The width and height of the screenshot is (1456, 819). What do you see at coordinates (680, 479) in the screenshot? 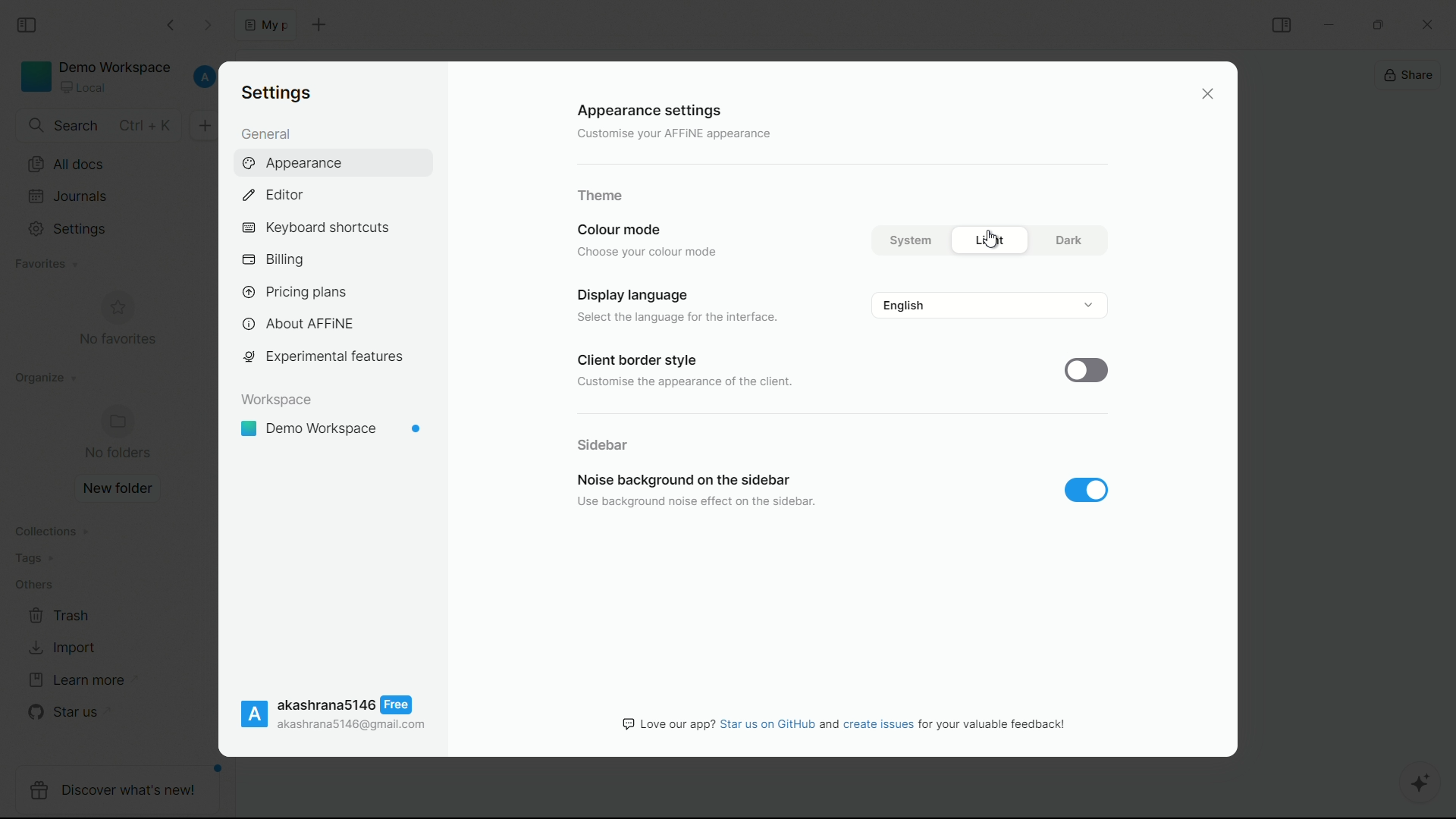
I see `noise background on the sidebar` at bounding box center [680, 479].